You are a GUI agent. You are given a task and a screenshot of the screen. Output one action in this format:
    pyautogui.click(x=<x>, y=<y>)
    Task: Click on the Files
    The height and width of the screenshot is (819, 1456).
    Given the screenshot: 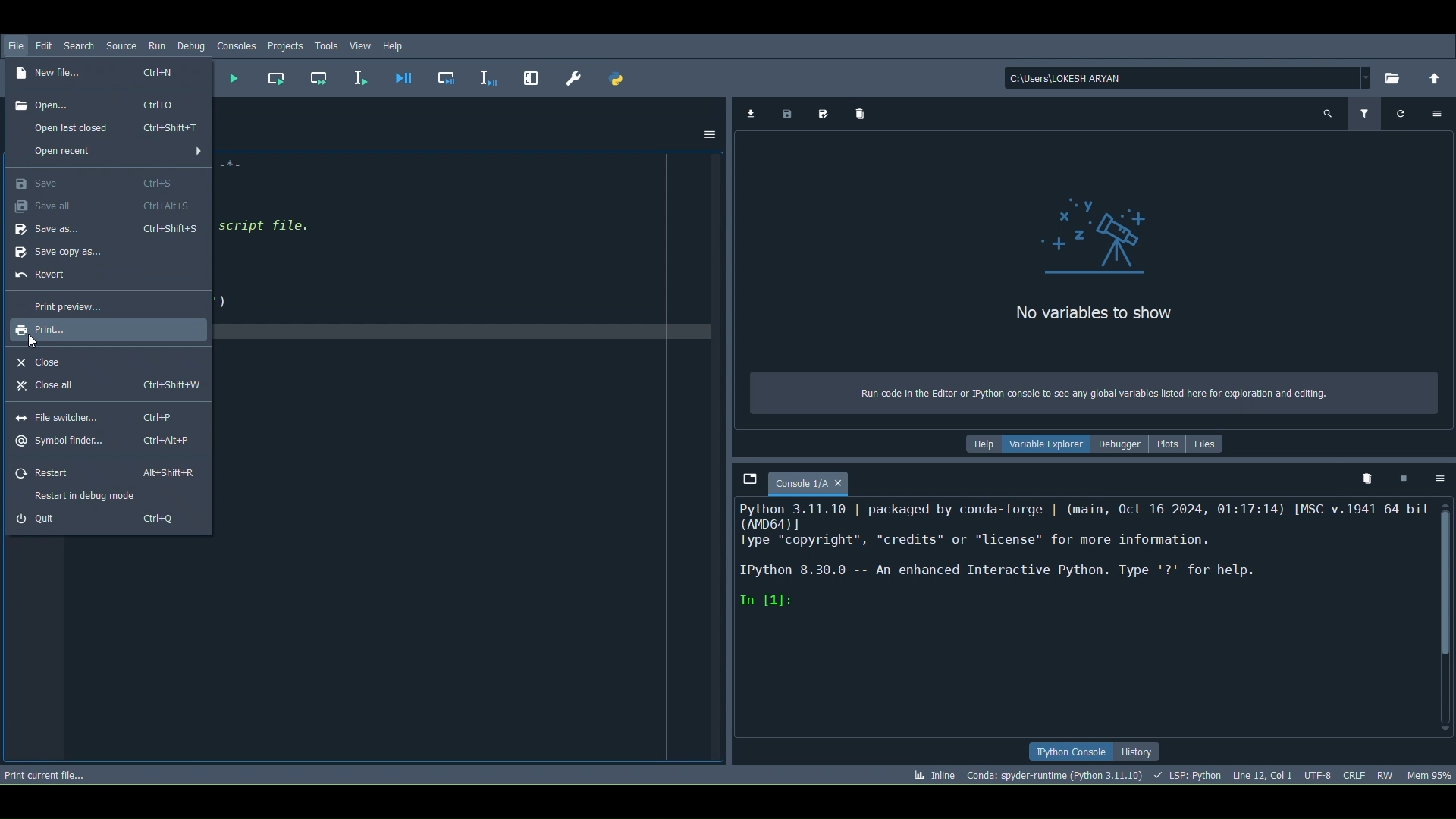 What is the action you would take?
    pyautogui.click(x=1211, y=446)
    